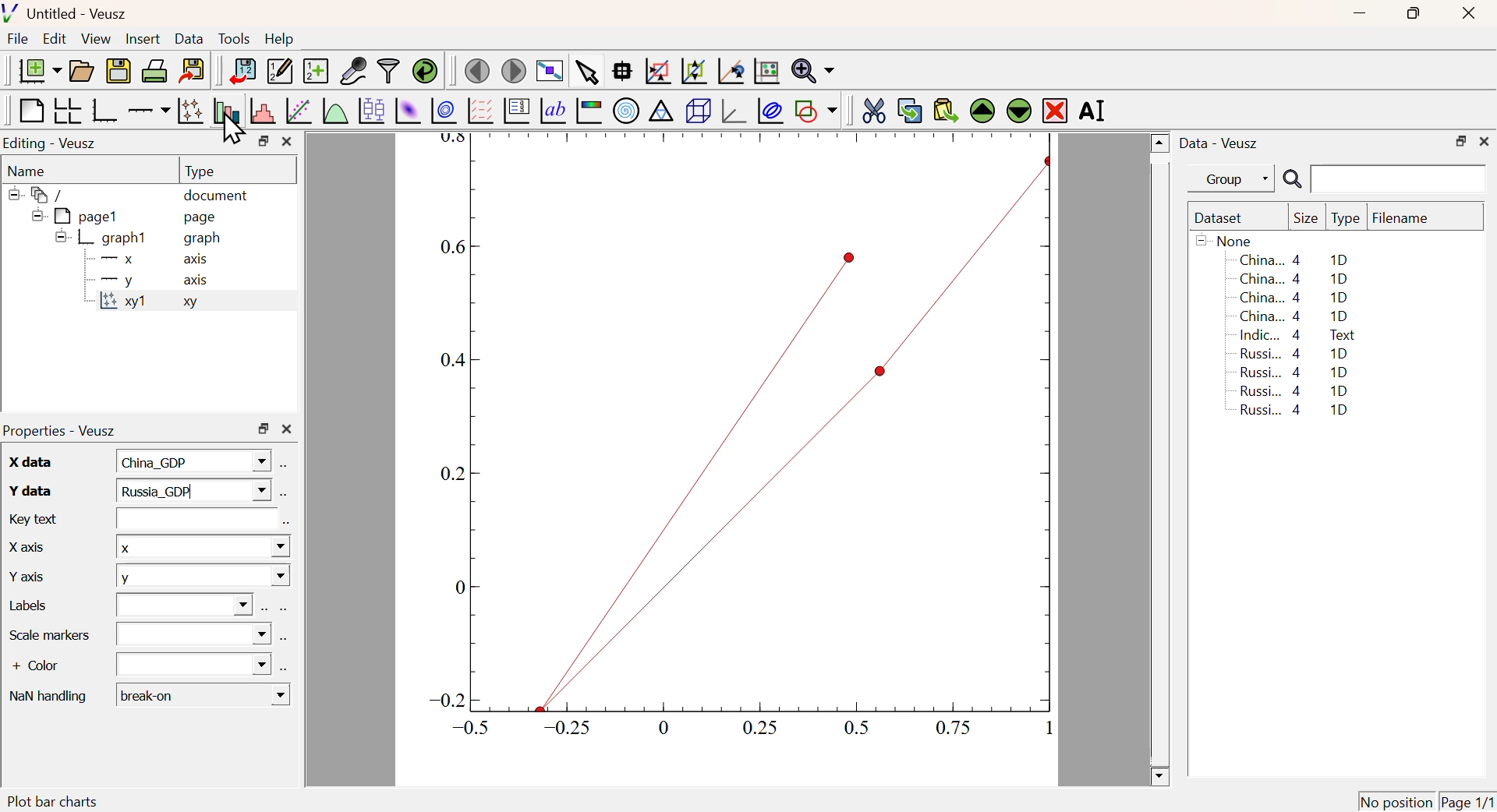 The height and width of the screenshot is (812, 1497). What do you see at coordinates (1056, 111) in the screenshot?
I see `Remove` at bounding box center [1056, 111].